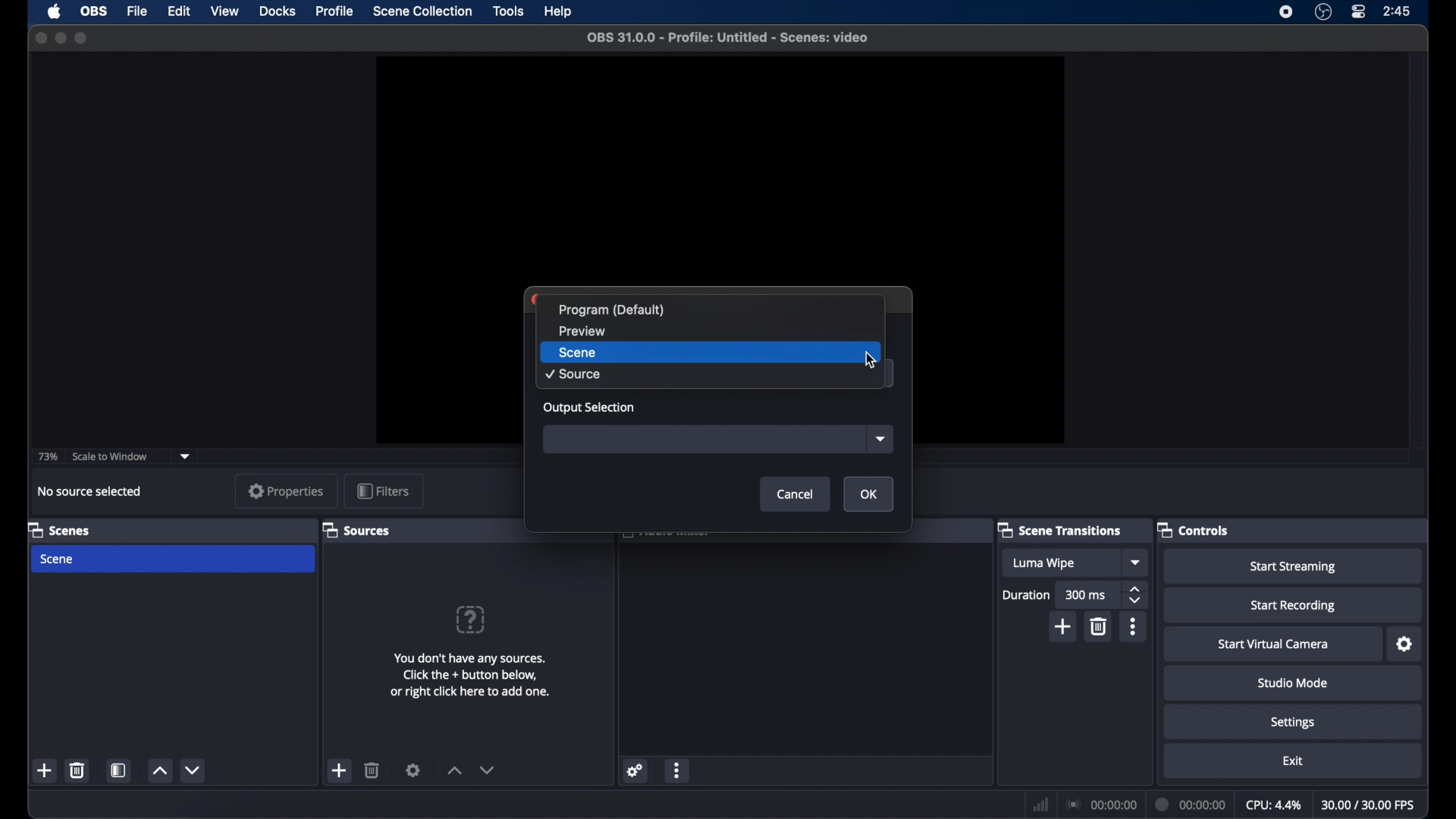 The image size is (1456, 819). What do you see at coordinates (453, 770) in the screenshot?
I see `increment` at bounding box center [453, 770].